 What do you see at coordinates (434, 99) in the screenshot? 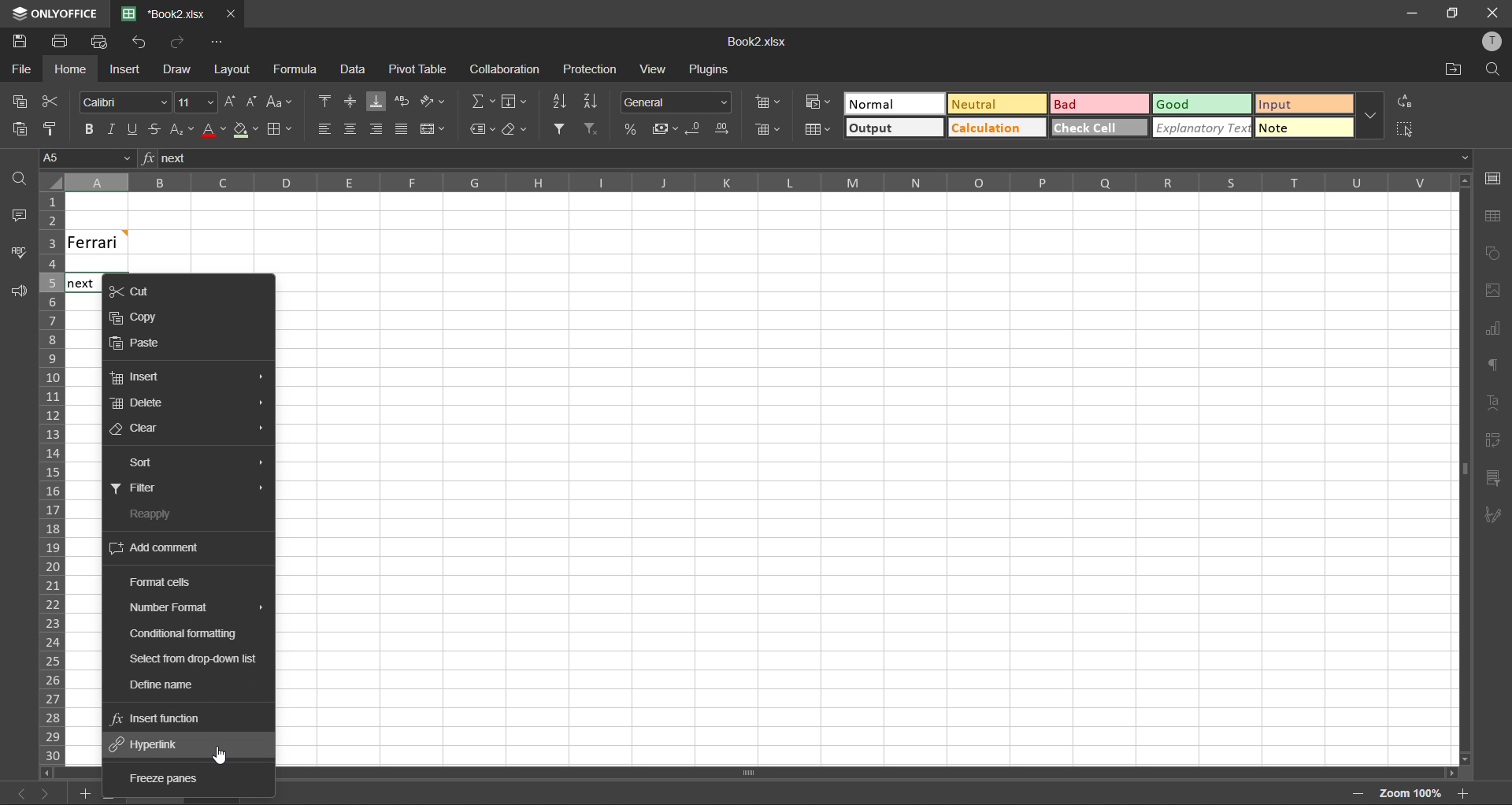
I see `orientation` at bounding box center [434, 99].